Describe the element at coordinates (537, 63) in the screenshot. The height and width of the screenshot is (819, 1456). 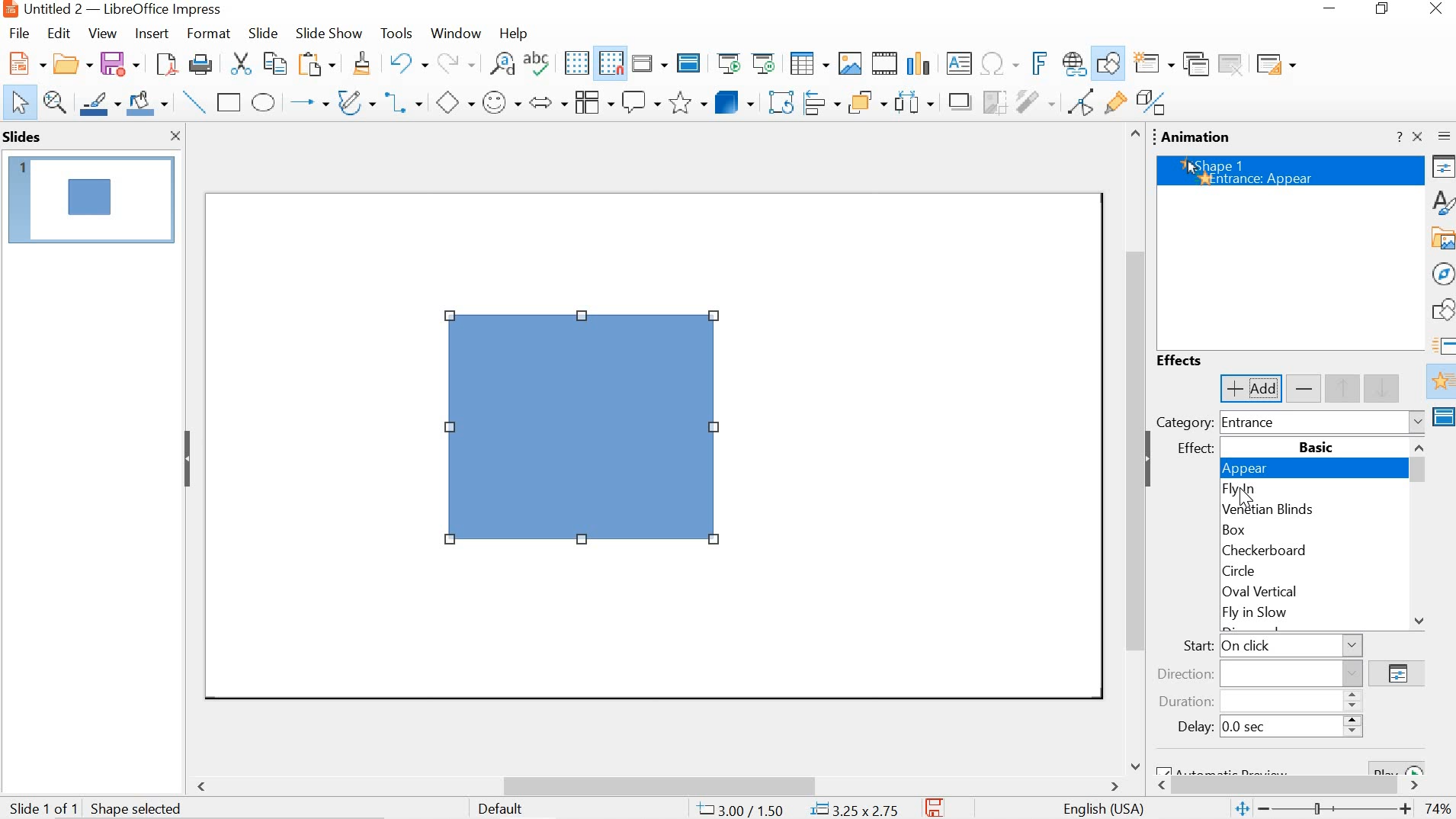
I see `spelling` at that location.